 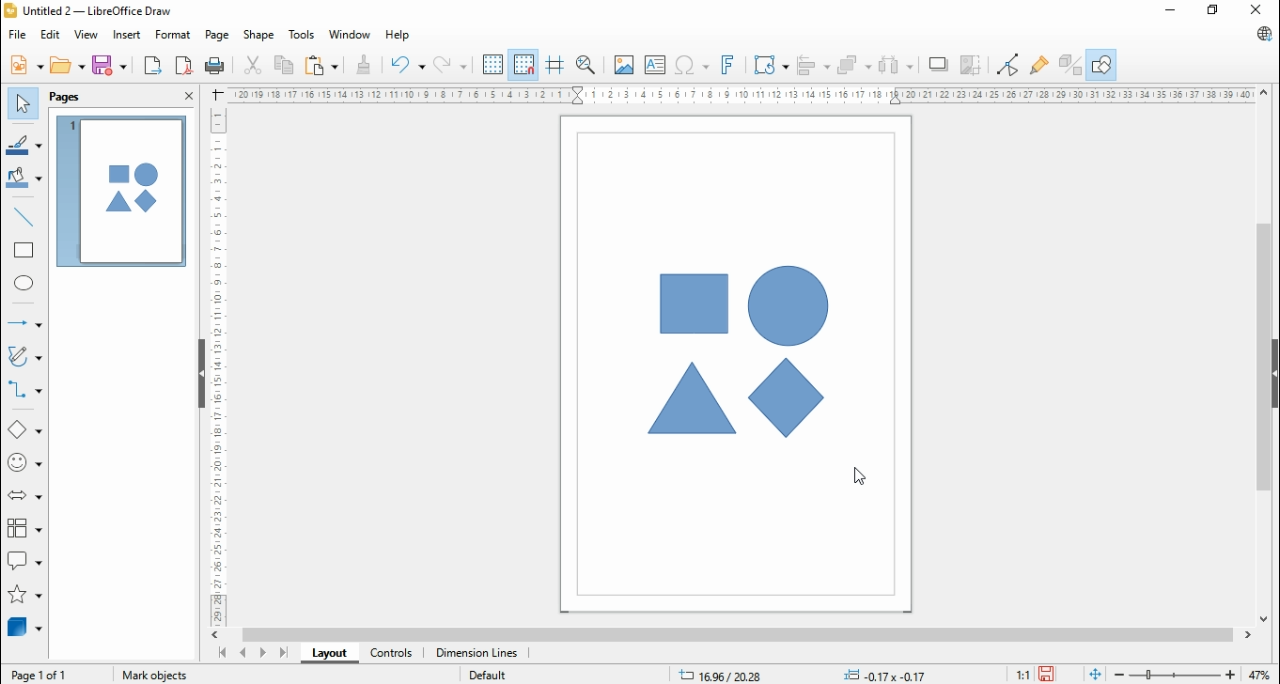 What do you see at coordinates (1020, 673) in the screenshot?
I see `1:1` at bounding box center [1020, 673].